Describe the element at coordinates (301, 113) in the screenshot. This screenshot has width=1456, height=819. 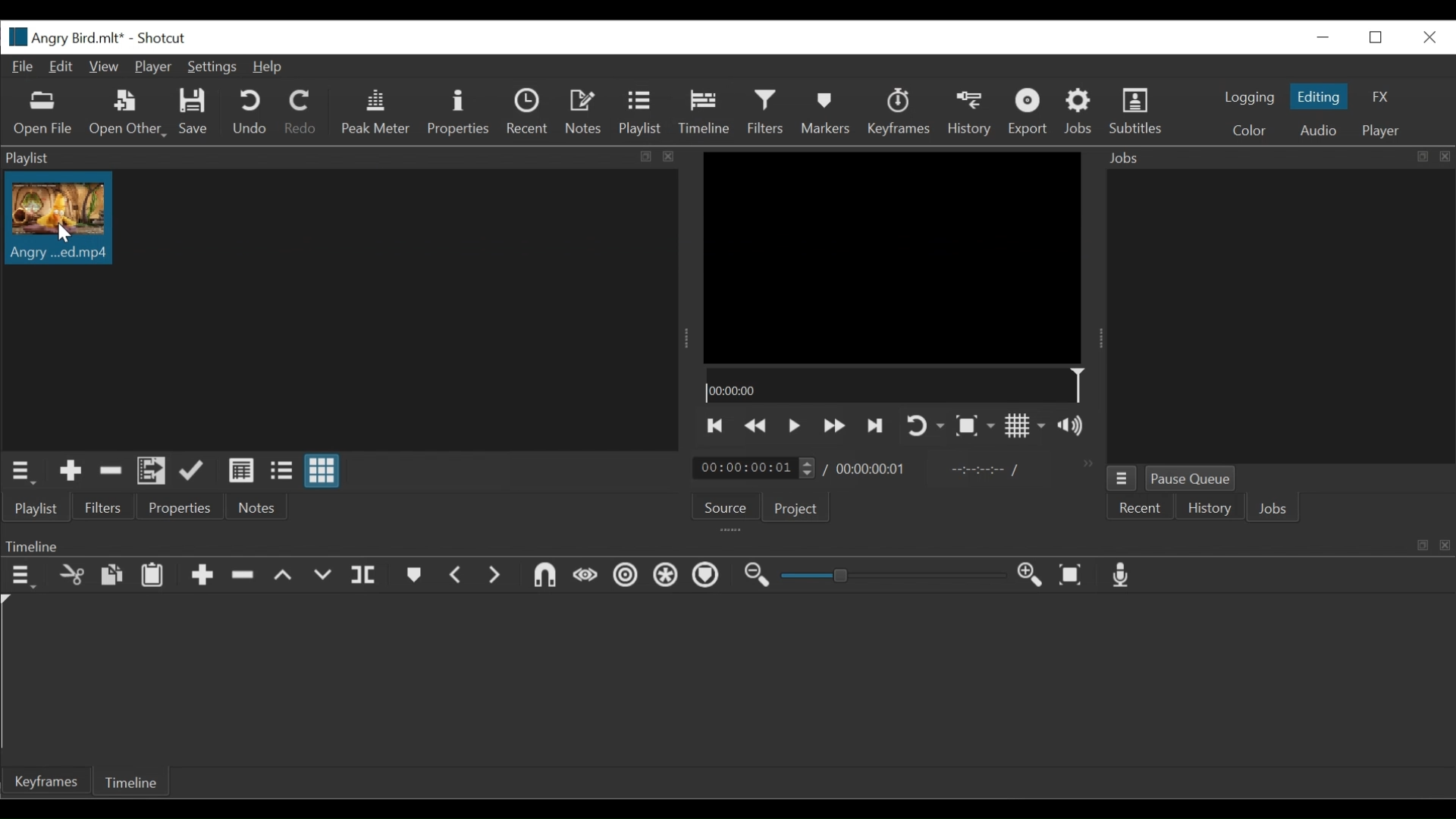
I see `Redo` at that location.